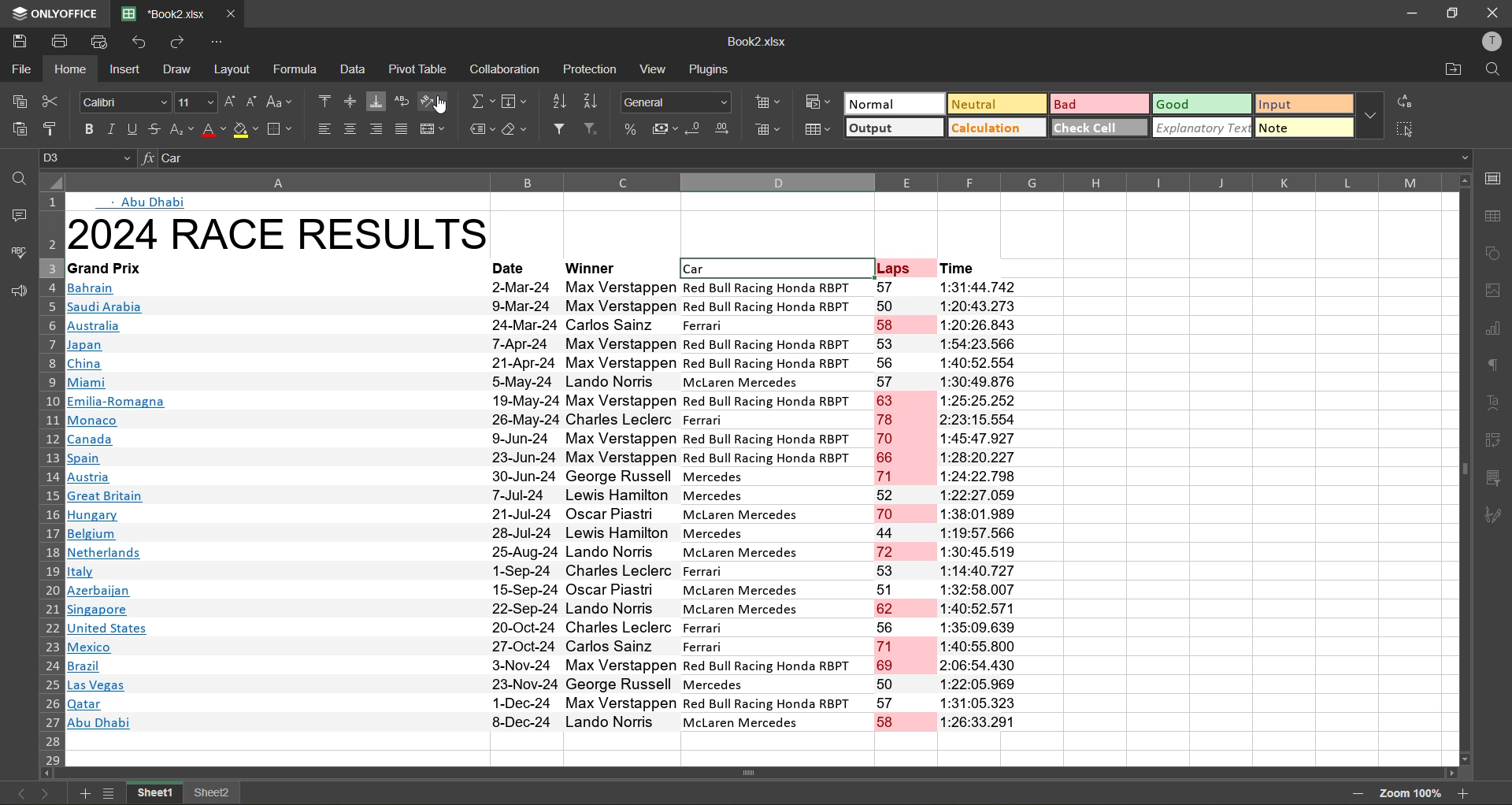  Describe the element at coordinates (559, 129) in the screenshot. I see `filter` at that location.